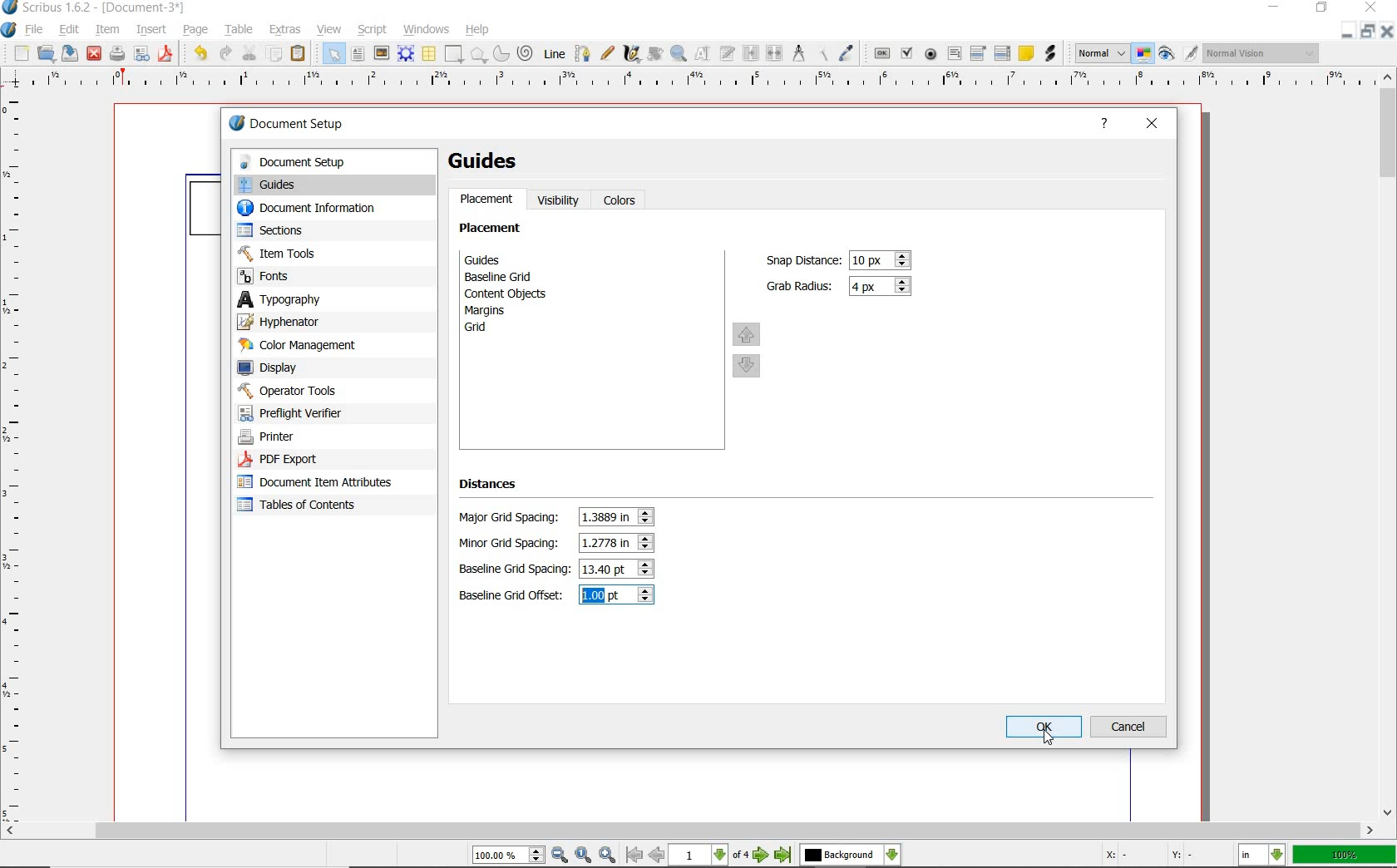  I want to click on view, so click(329, 31).